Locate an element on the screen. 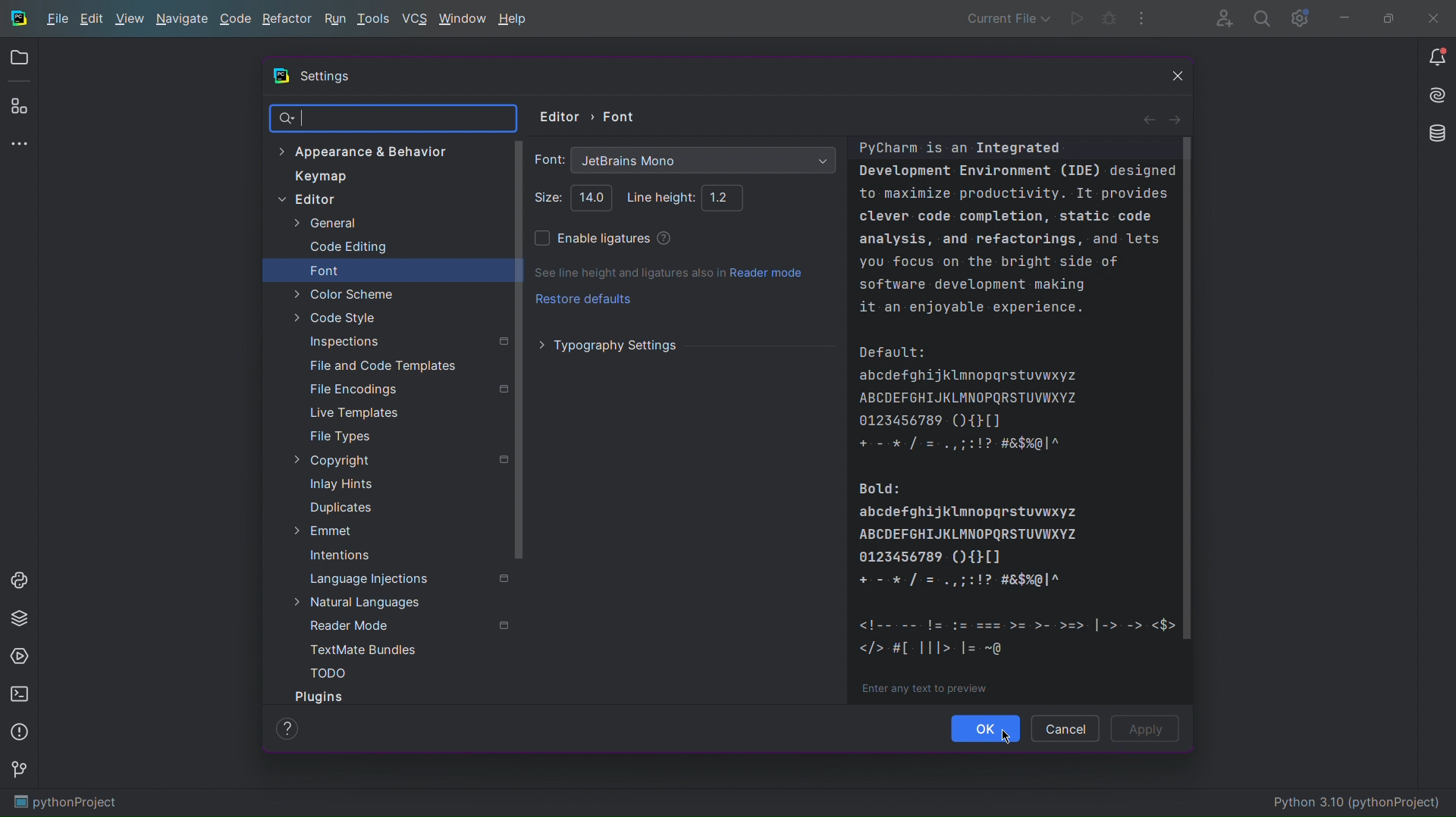 Image resolution: width=1456 pixels, height=817 pixels. Close is located at coordinates (1168, 79).